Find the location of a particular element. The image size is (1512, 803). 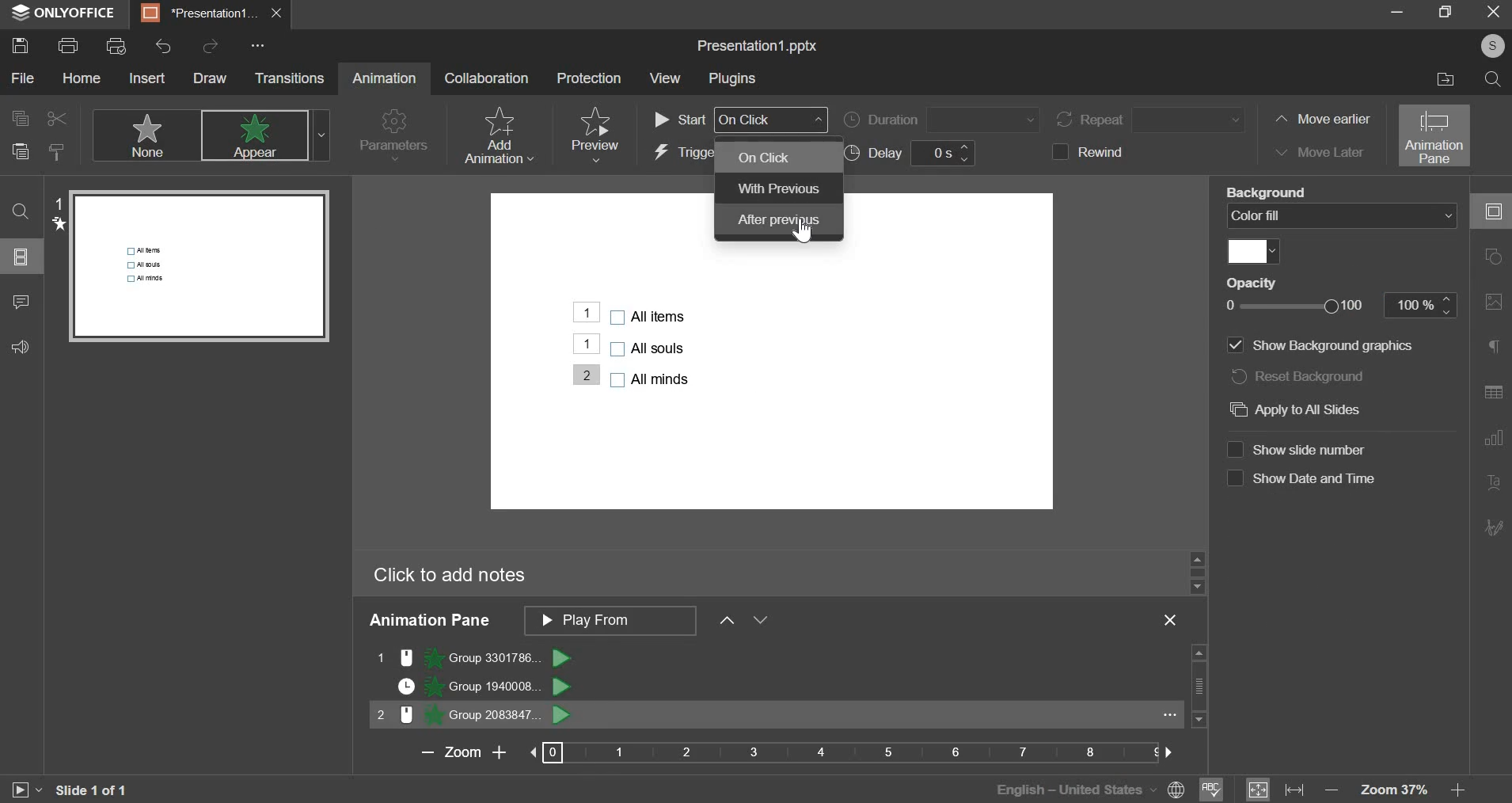

animation 2 is located at coordinates (474, 686).